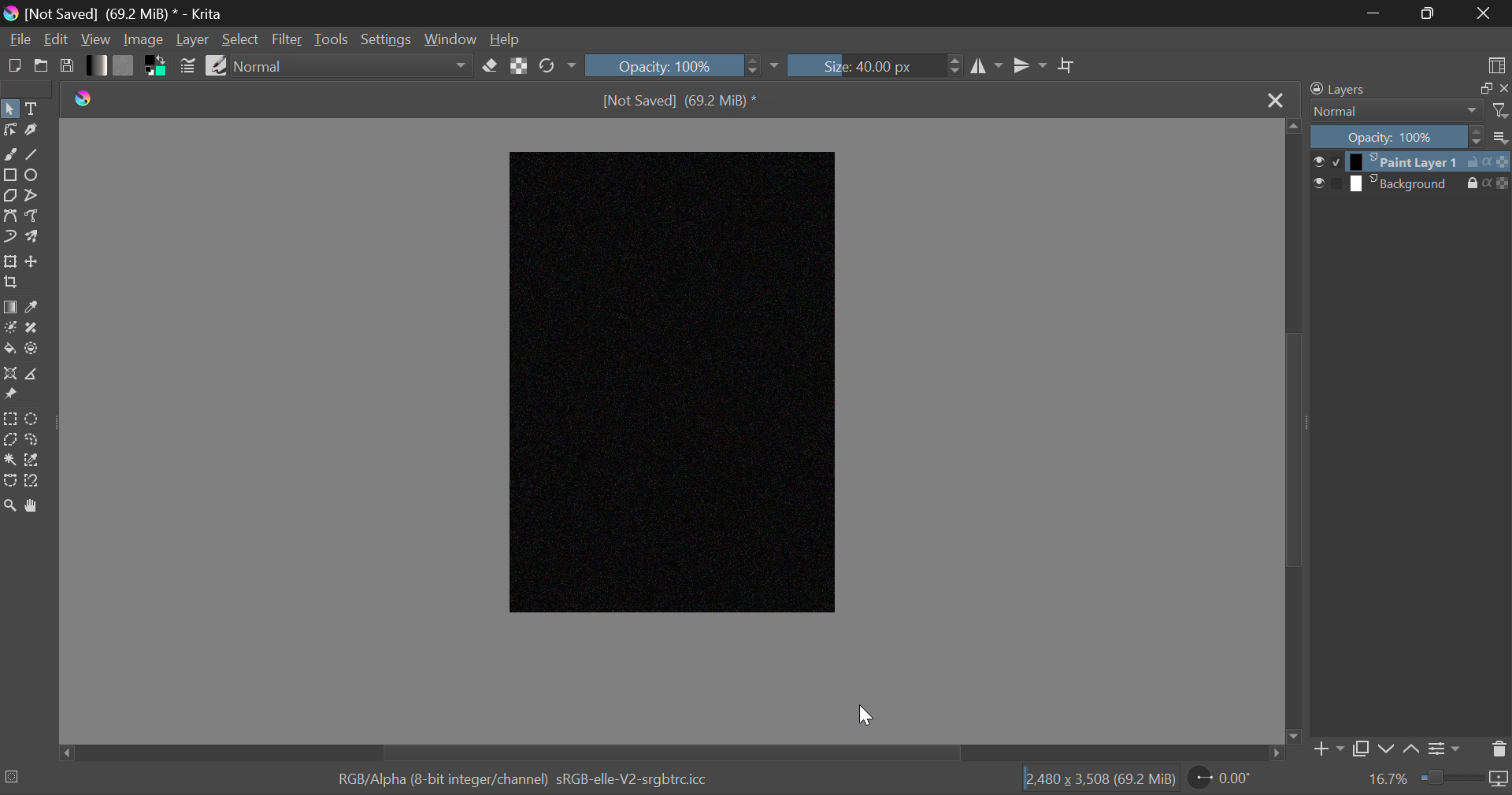 The width and height of the screenshot is (1512, 795). Describe the element at coordinates (1376, 13) in the screenshot. I see `Restore Down` at that location.